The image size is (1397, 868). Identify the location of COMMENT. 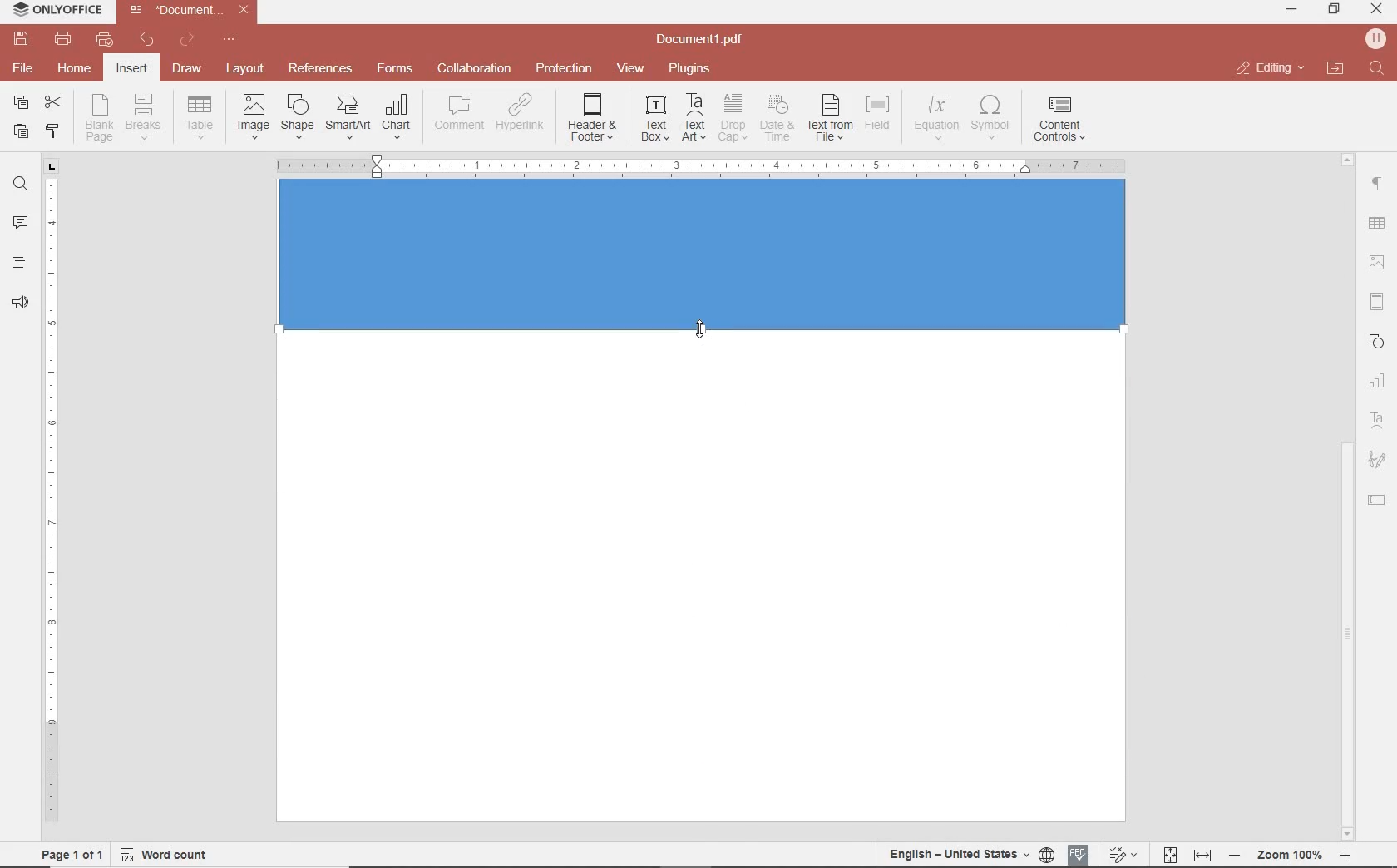
(461, 113).